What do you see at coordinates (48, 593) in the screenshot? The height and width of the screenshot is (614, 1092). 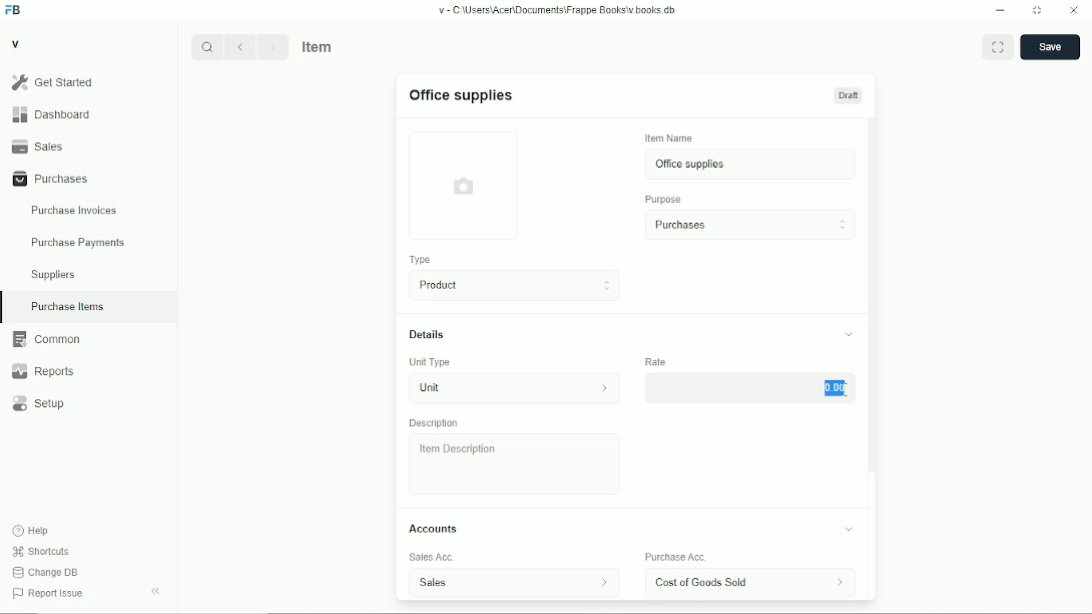 I see `report issue` at bounding box center [48, 593].